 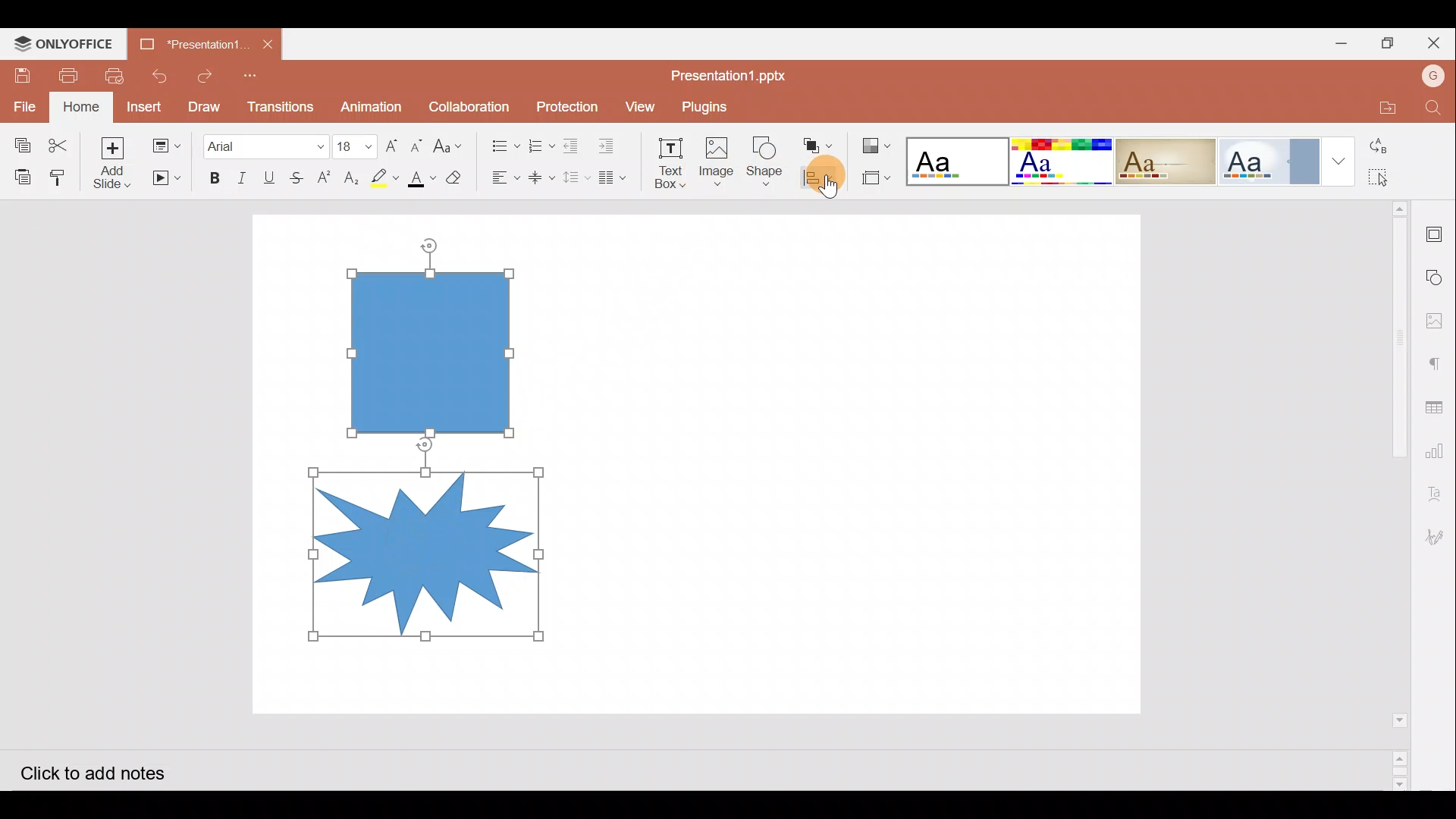 What do you see at coordinates (22, 175) in the screenshot?
I see `Paste` at bounding box center [22, 175].